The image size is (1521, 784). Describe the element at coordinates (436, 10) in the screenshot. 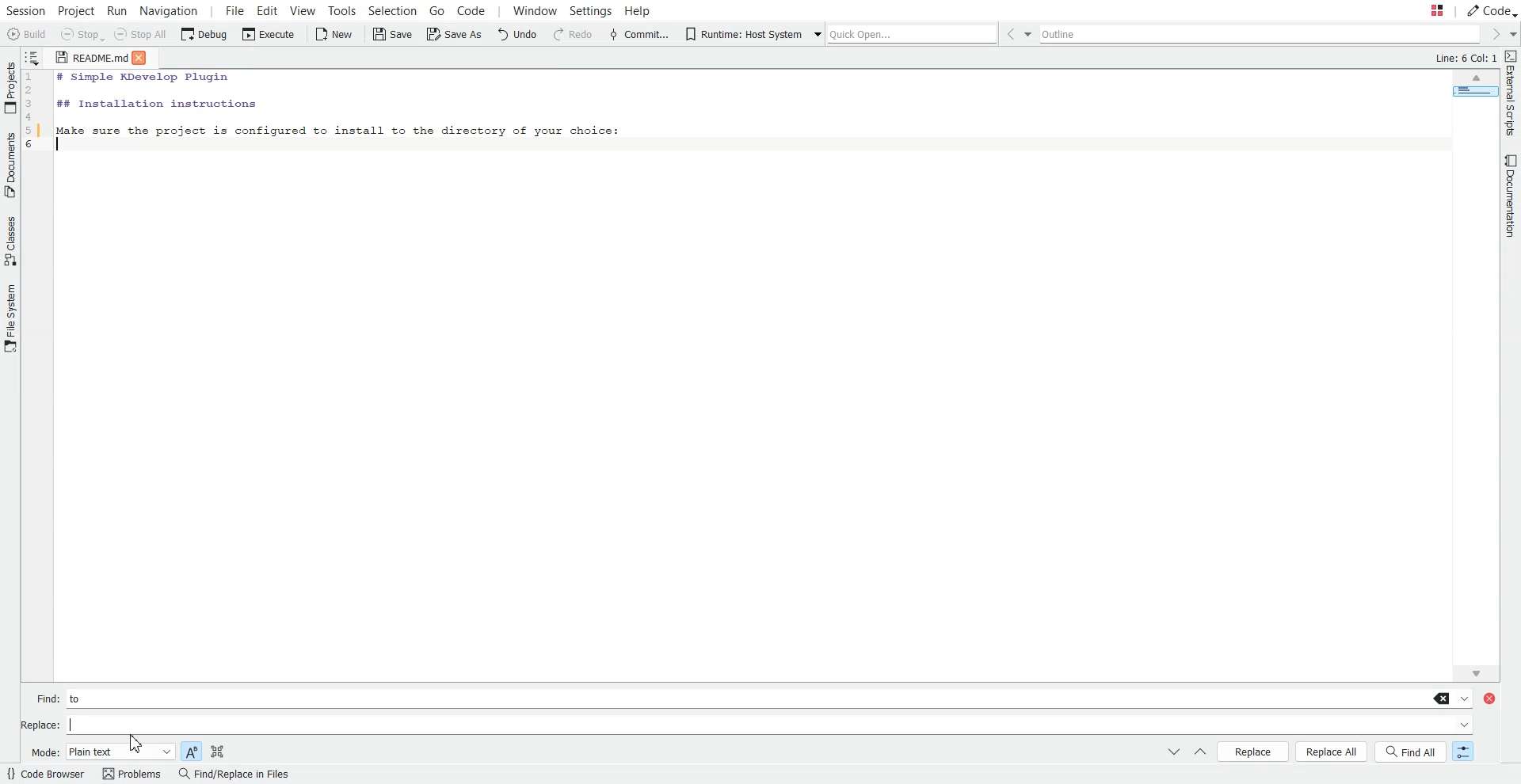

I see `Go` at that location.